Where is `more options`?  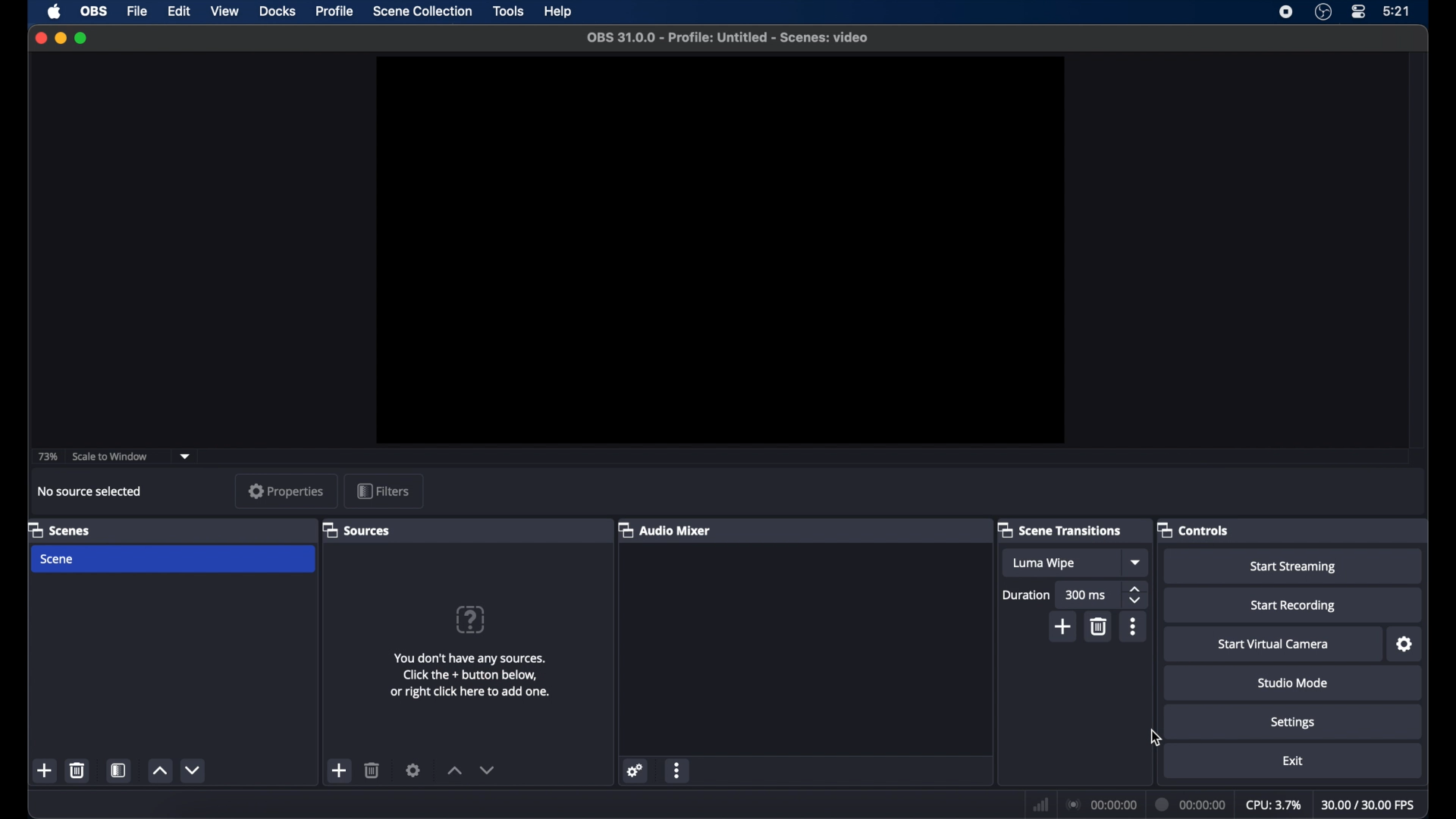
more options is located at coordinates (678, 772).